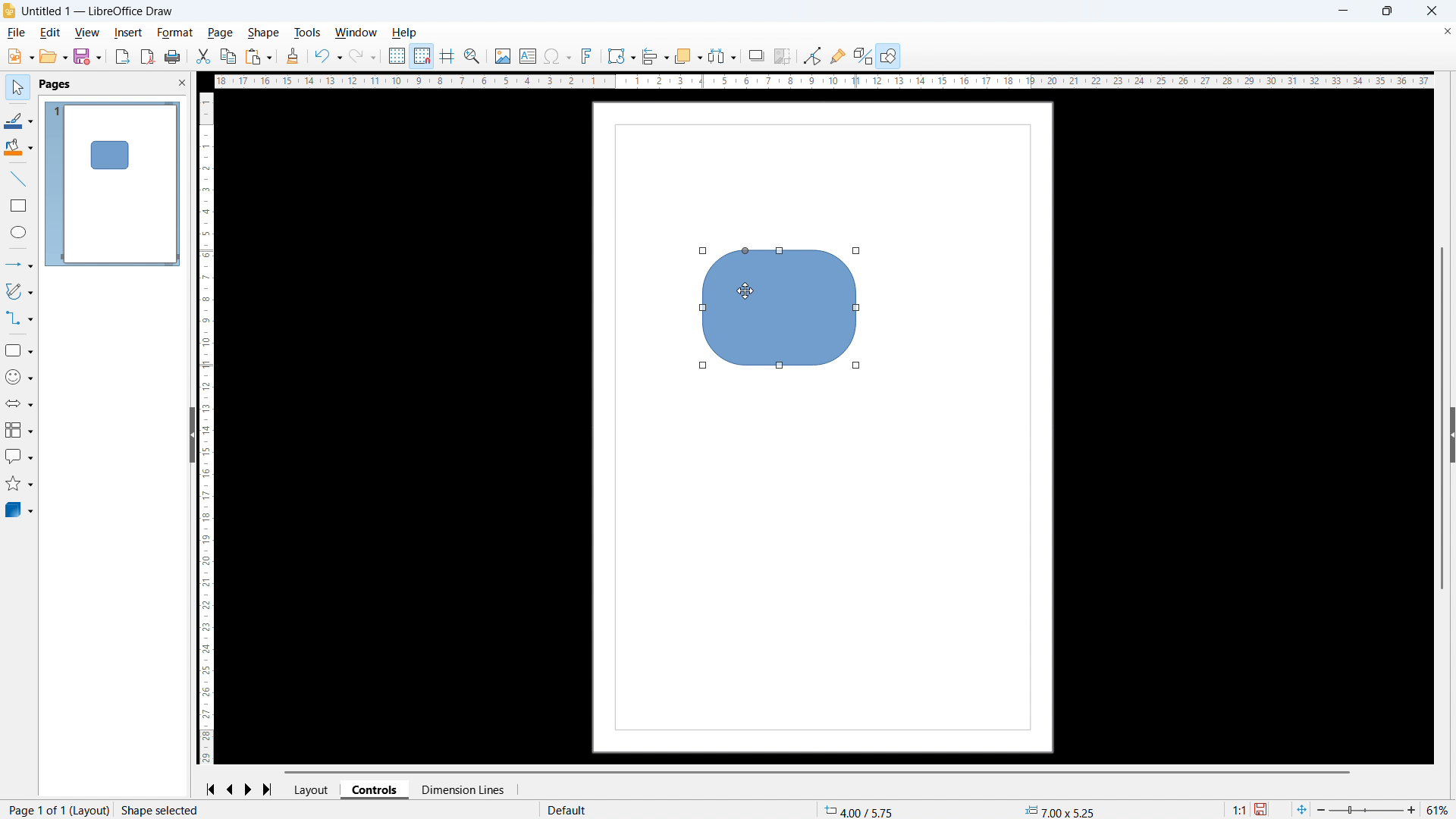  I want to click on 61%, so click(1439, 810).